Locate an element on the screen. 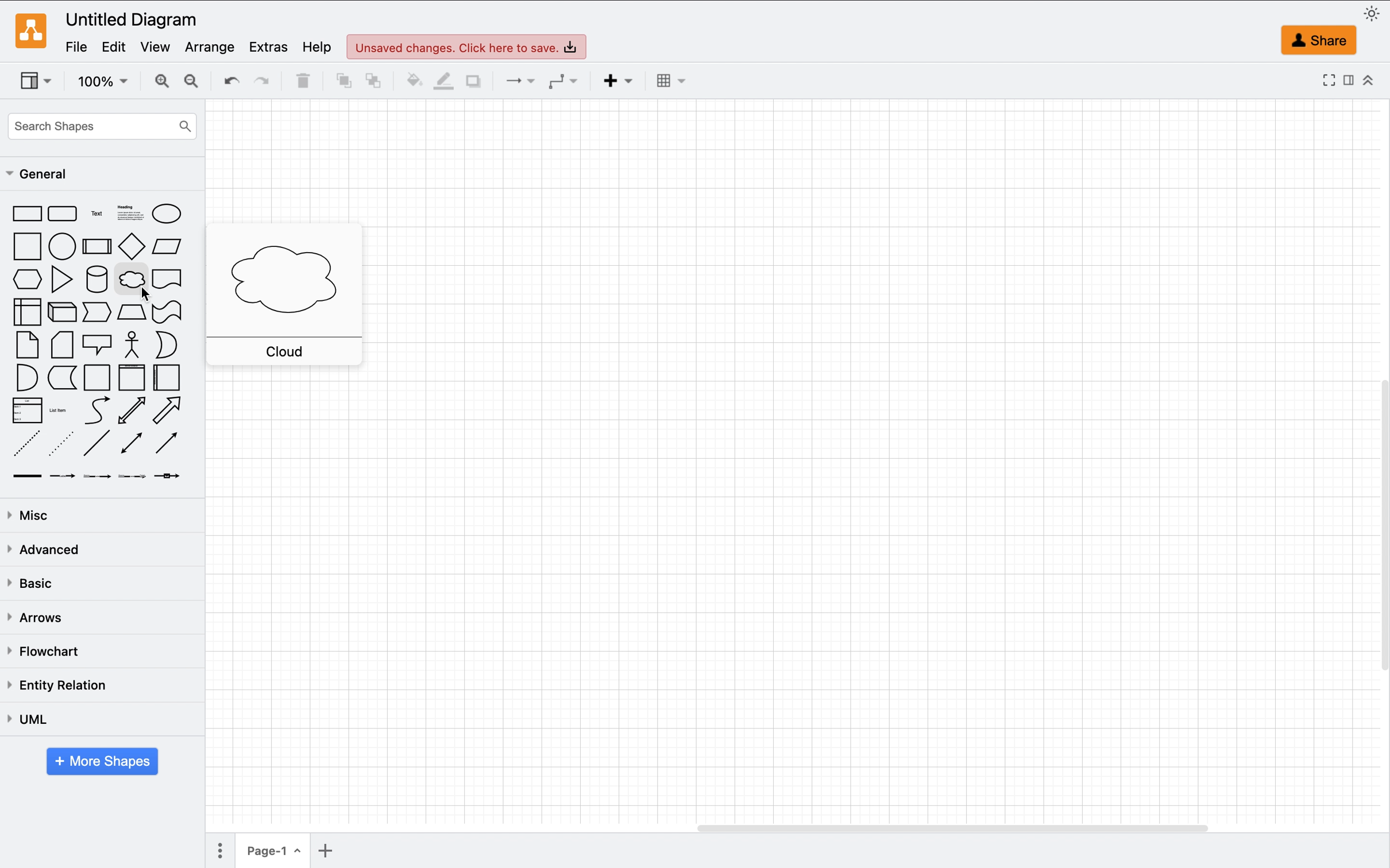 The height and width of the screenshot is (868, 1390). vertical page scroll bar is located at coordinates (1373, 524).